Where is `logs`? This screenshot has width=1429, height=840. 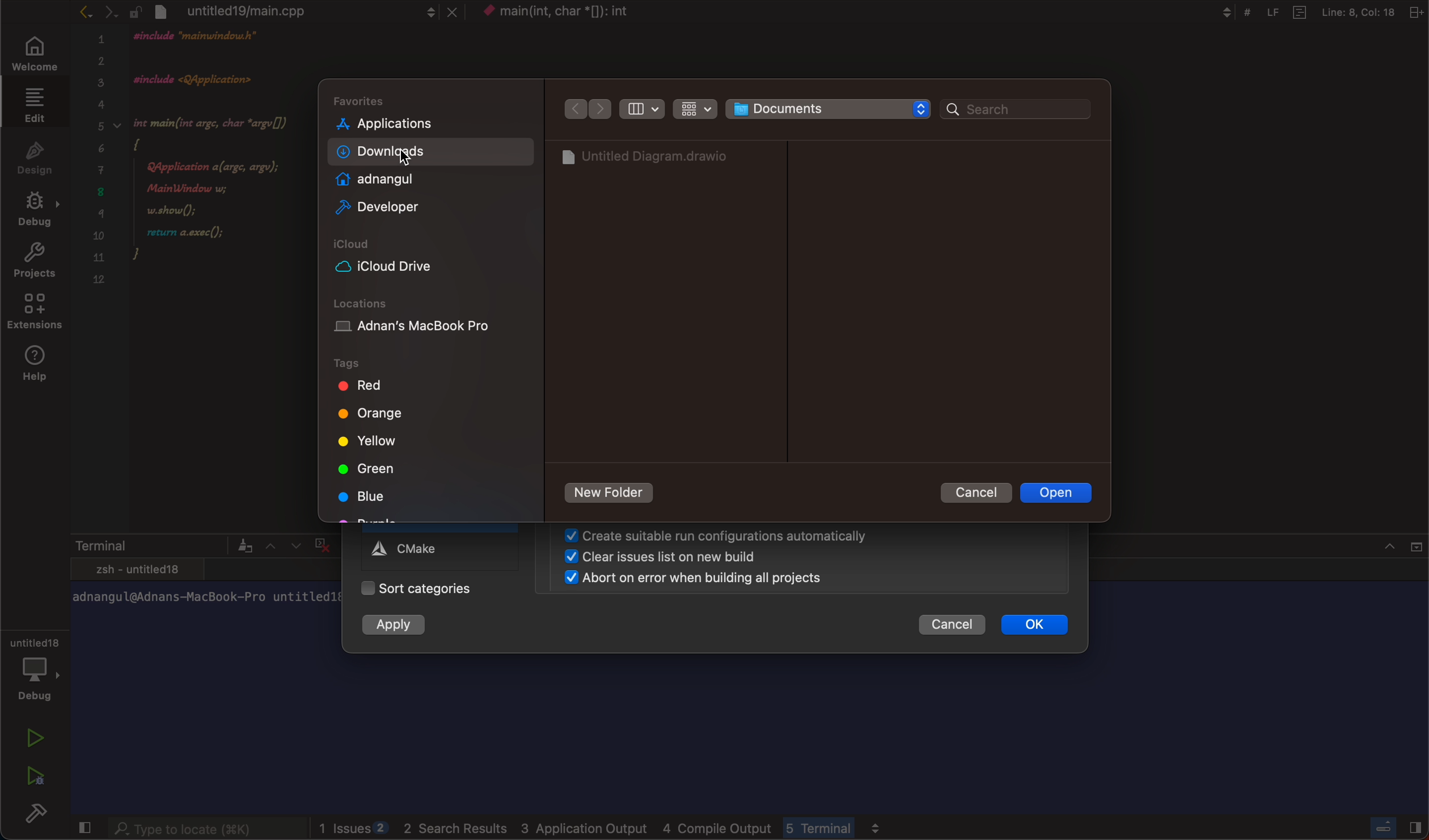
logs is located at coordinates (605, 824).